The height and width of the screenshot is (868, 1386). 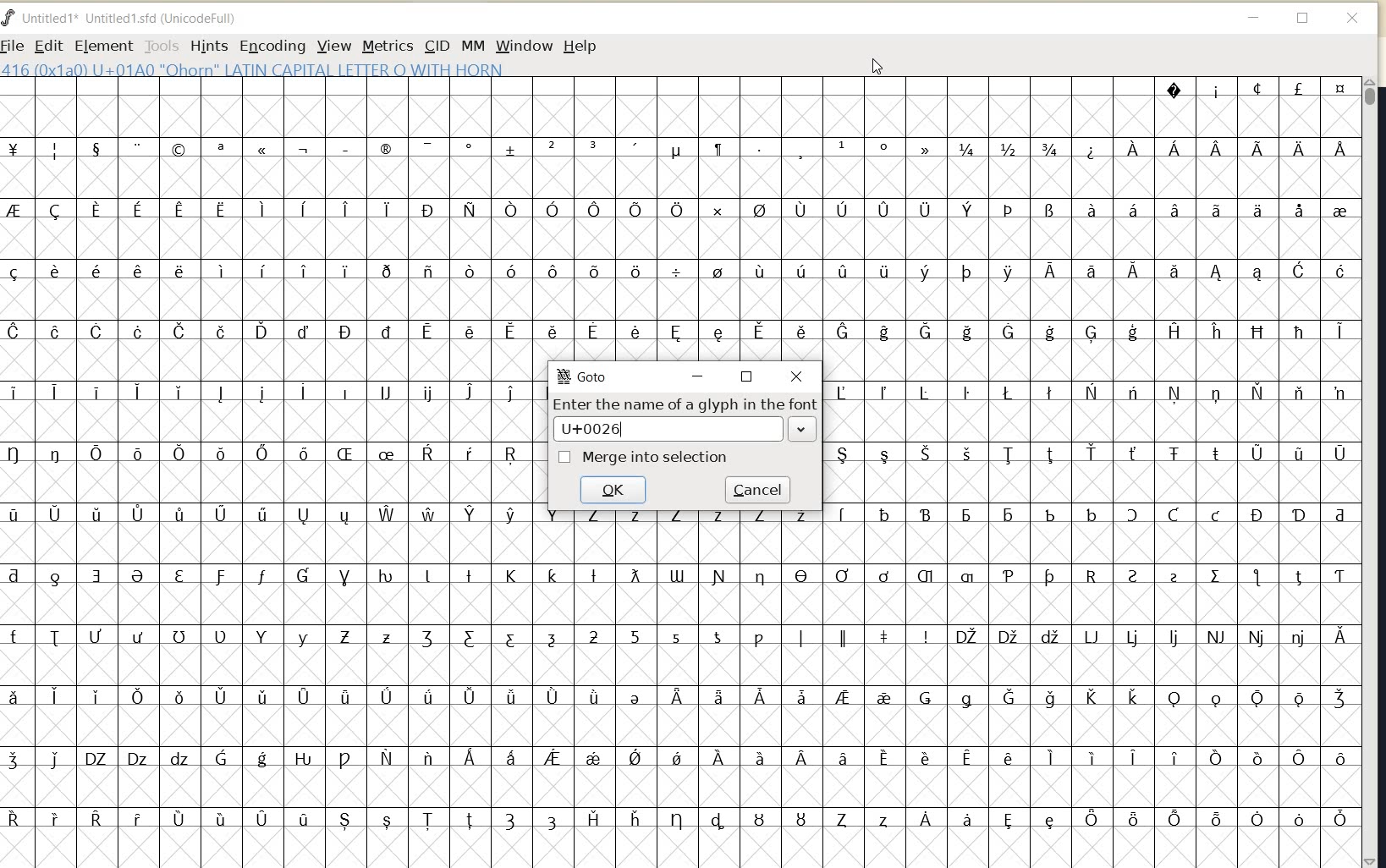 I want to click on SCROLLBAR, so click(x=1372, y=472).